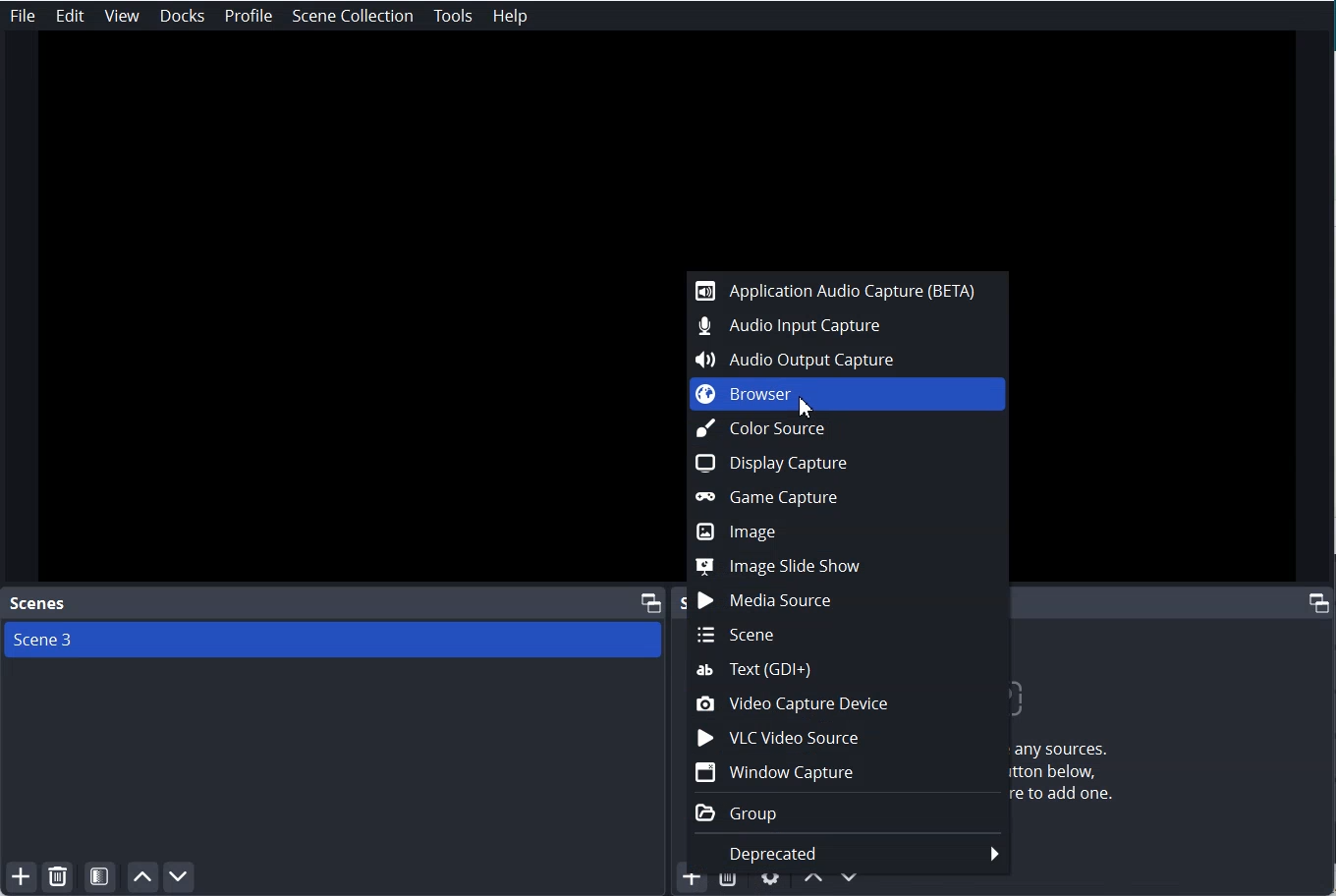 The height and width of the screenshot is (896, 1336). I want to click on Display Capture, so click(850, 462).